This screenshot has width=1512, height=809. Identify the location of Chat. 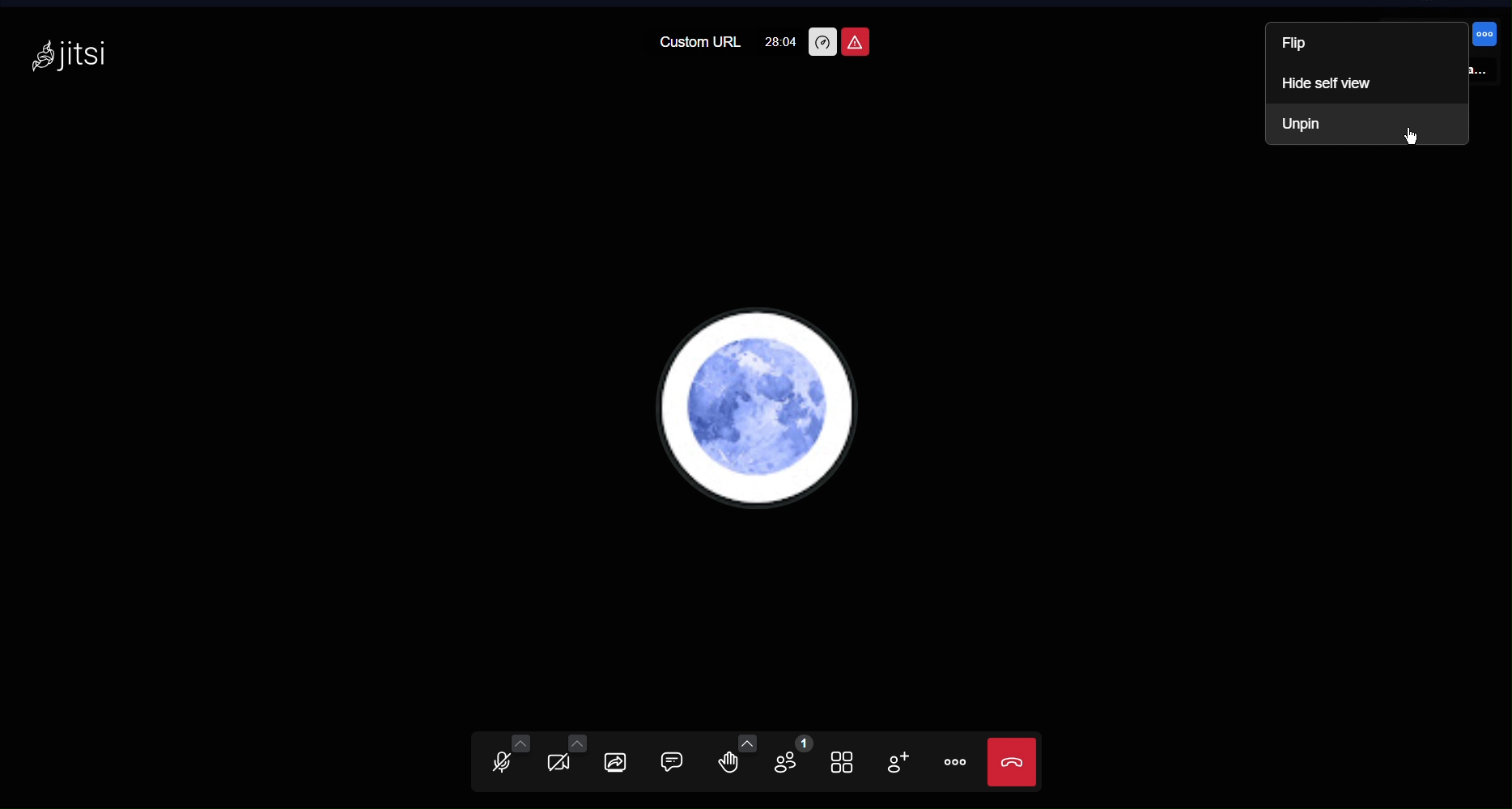
(684, 761).